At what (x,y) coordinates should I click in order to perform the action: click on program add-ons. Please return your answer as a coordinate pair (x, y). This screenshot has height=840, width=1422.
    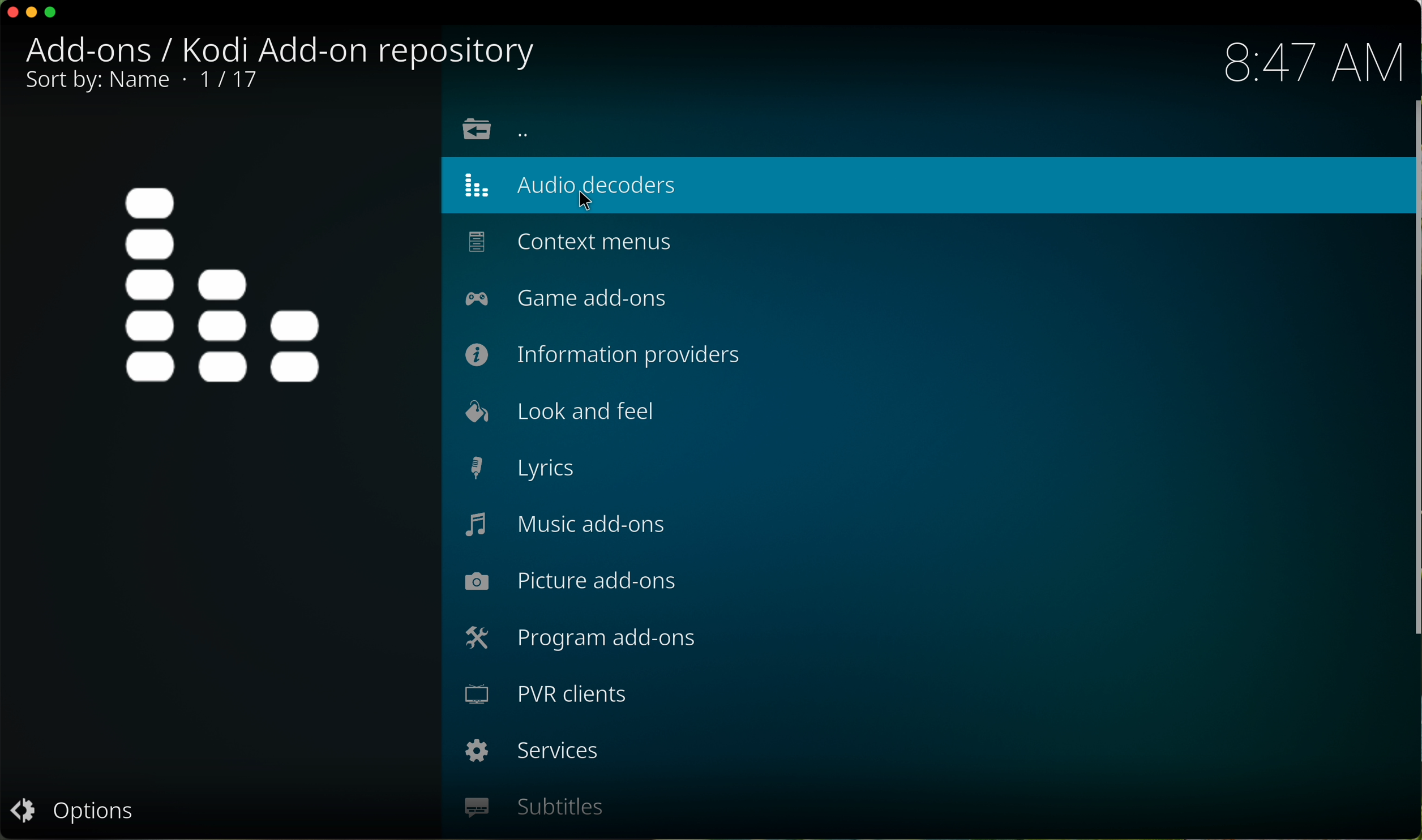
    Looking at the image, I should click on (582, 642).